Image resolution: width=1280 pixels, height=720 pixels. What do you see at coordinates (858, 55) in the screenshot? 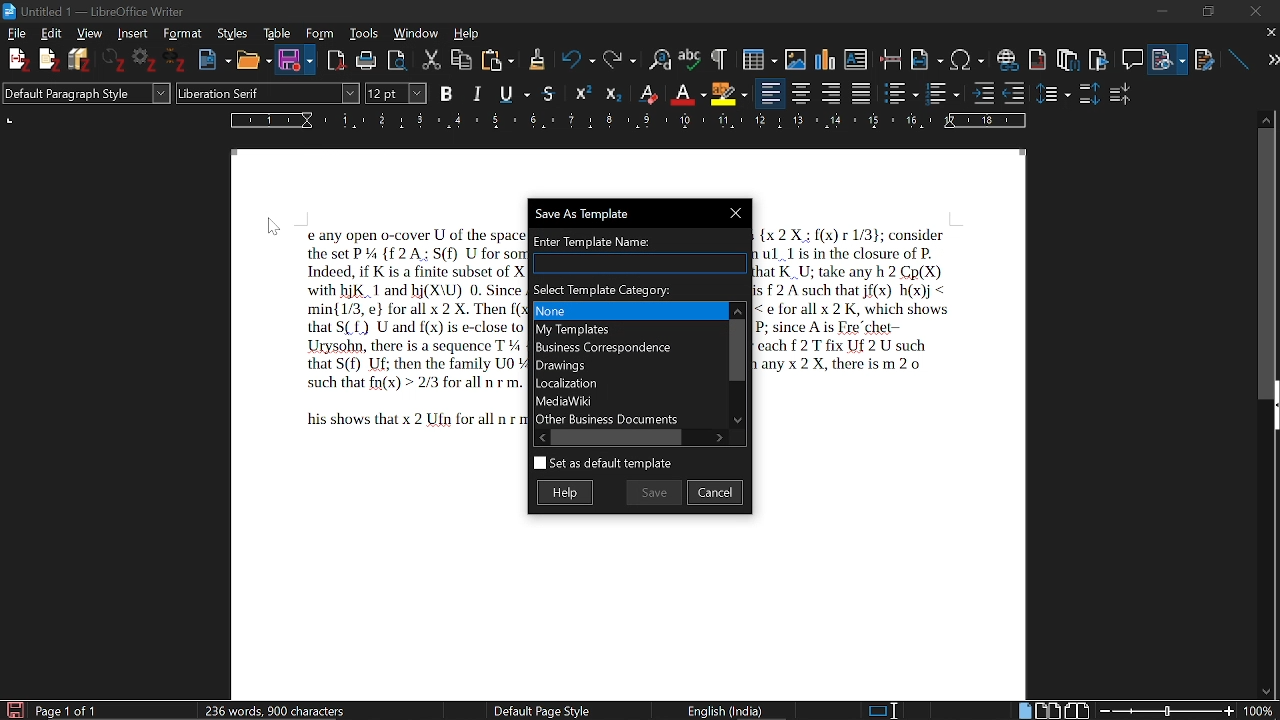
I see `Insert text` at bounding box center [858, 55].